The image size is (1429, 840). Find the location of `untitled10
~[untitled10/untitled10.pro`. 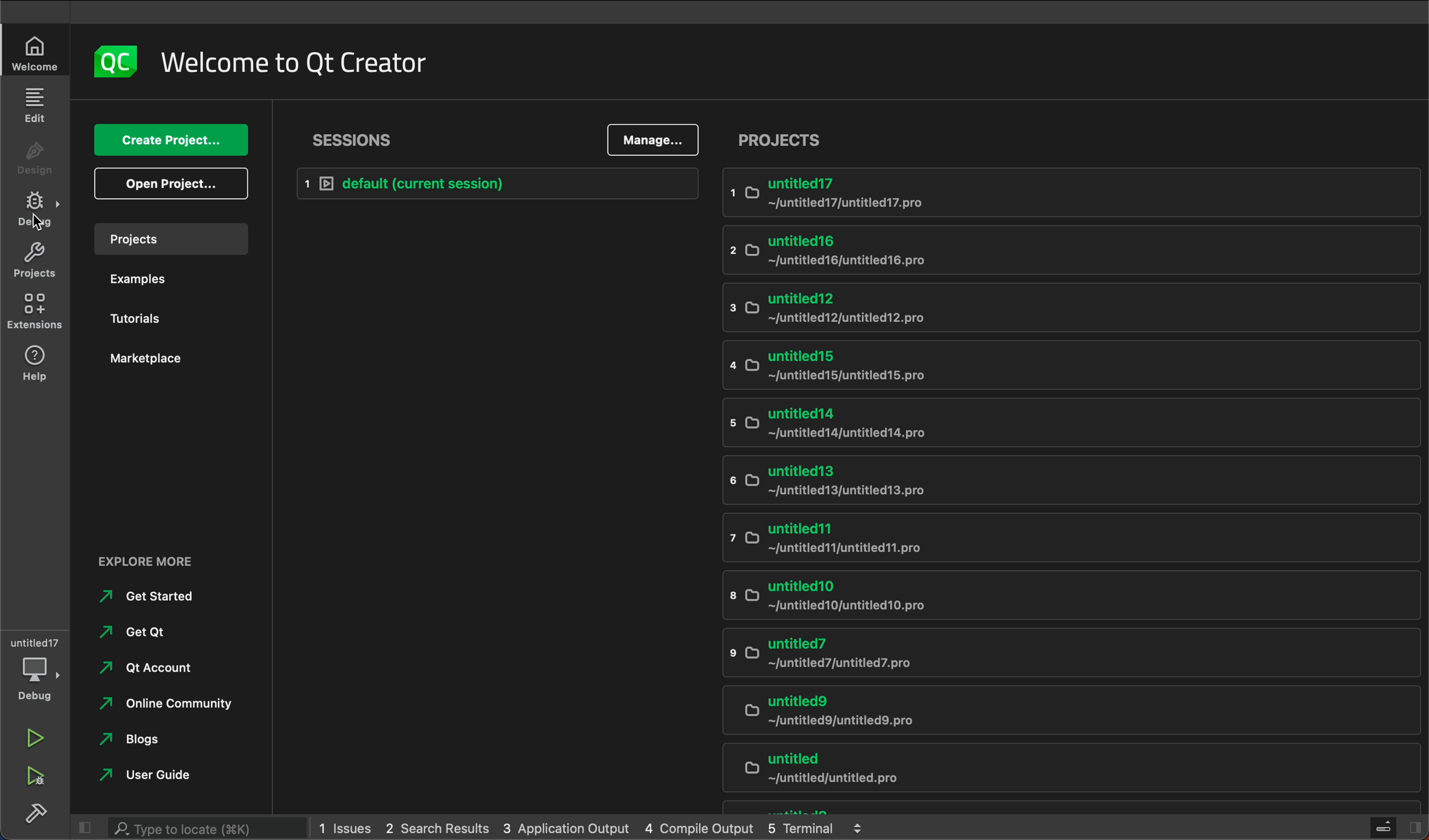

untitled10
~[untitled10/untitled10.pro is located at coordinates (1067, 596).